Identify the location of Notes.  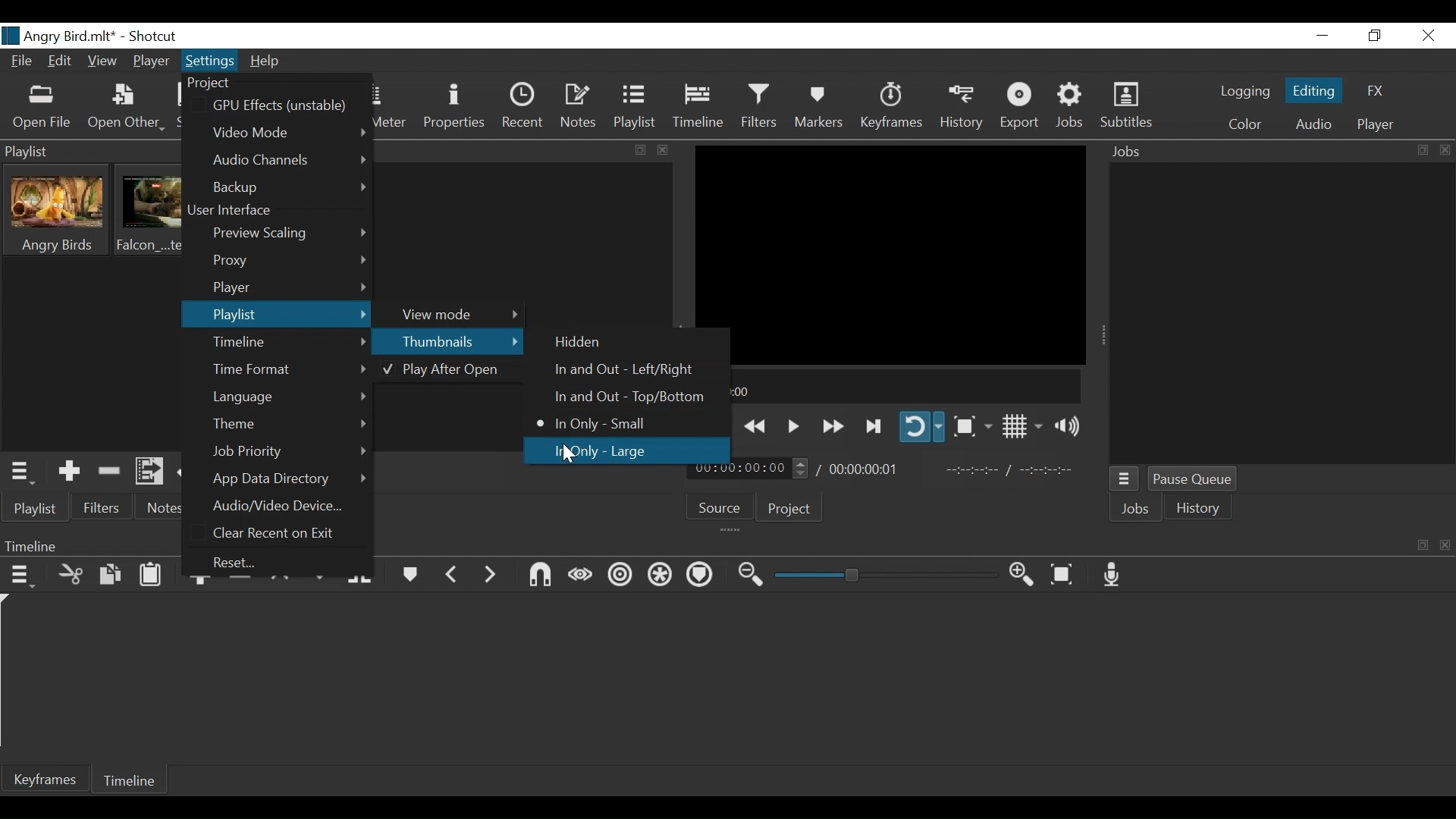
(163, 508).